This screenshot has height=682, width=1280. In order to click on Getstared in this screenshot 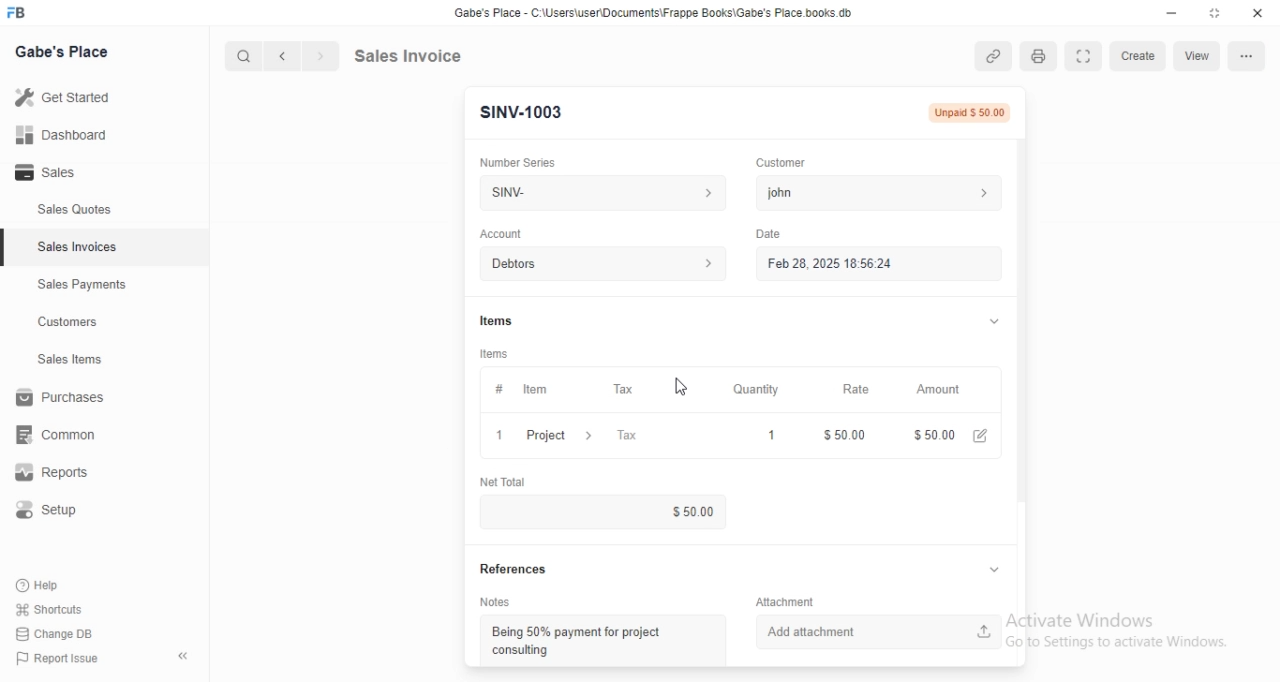, I will do `click(68, 99)`.